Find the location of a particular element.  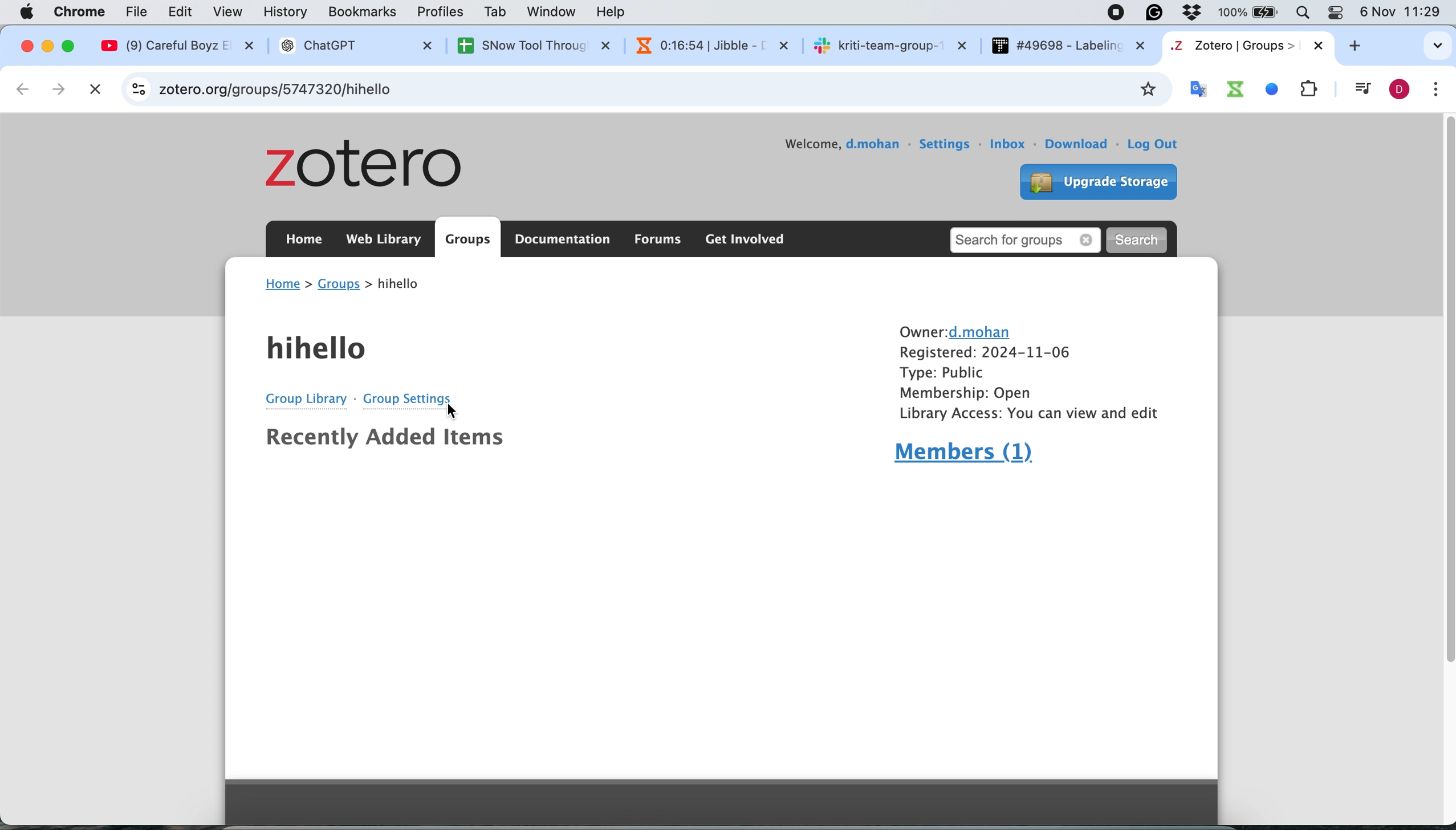

profiles is located at coordinates (442, 11).